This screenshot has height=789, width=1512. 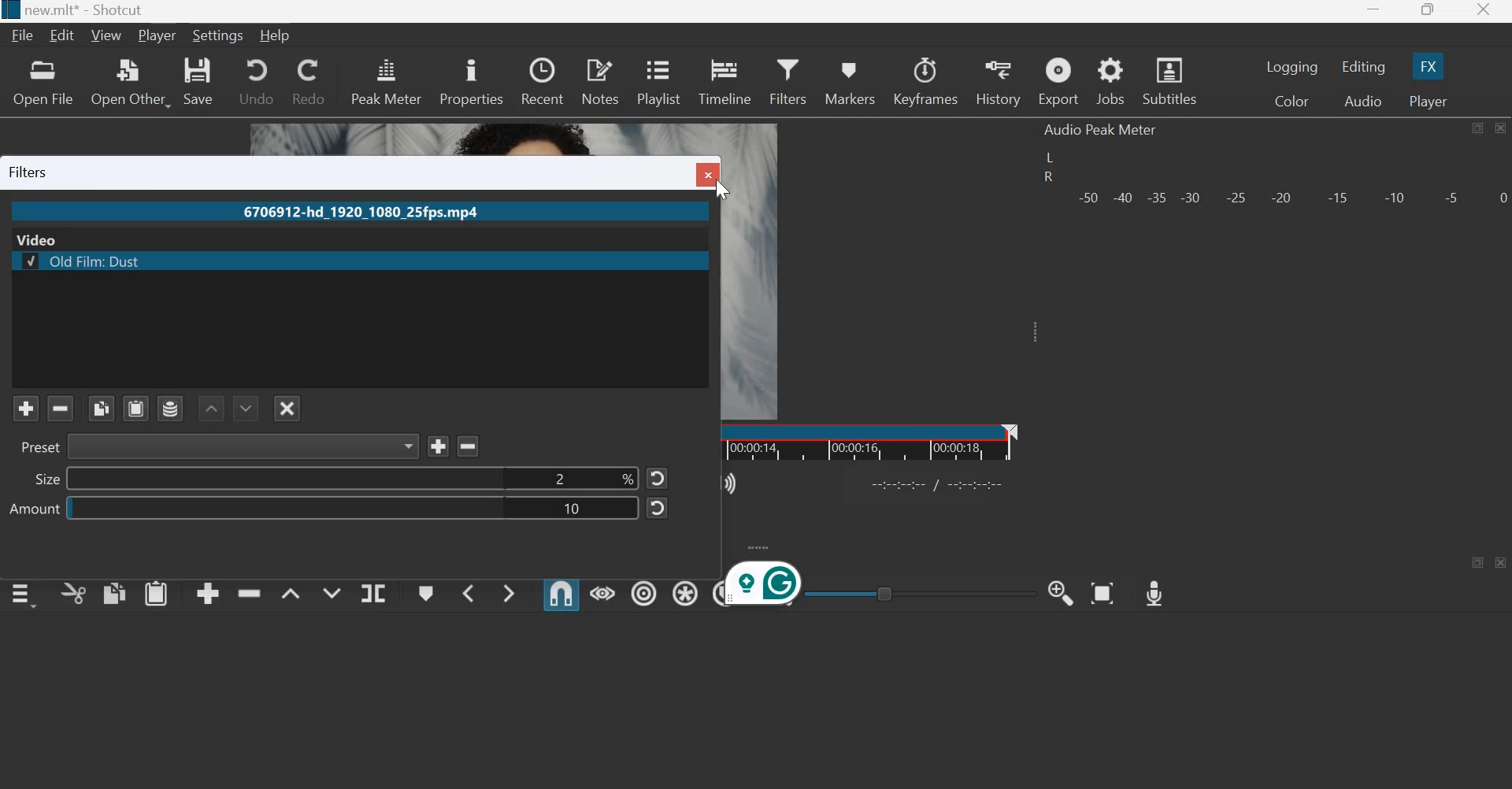 I want to click on Old Film: Dust, so click(x=381, y=260).